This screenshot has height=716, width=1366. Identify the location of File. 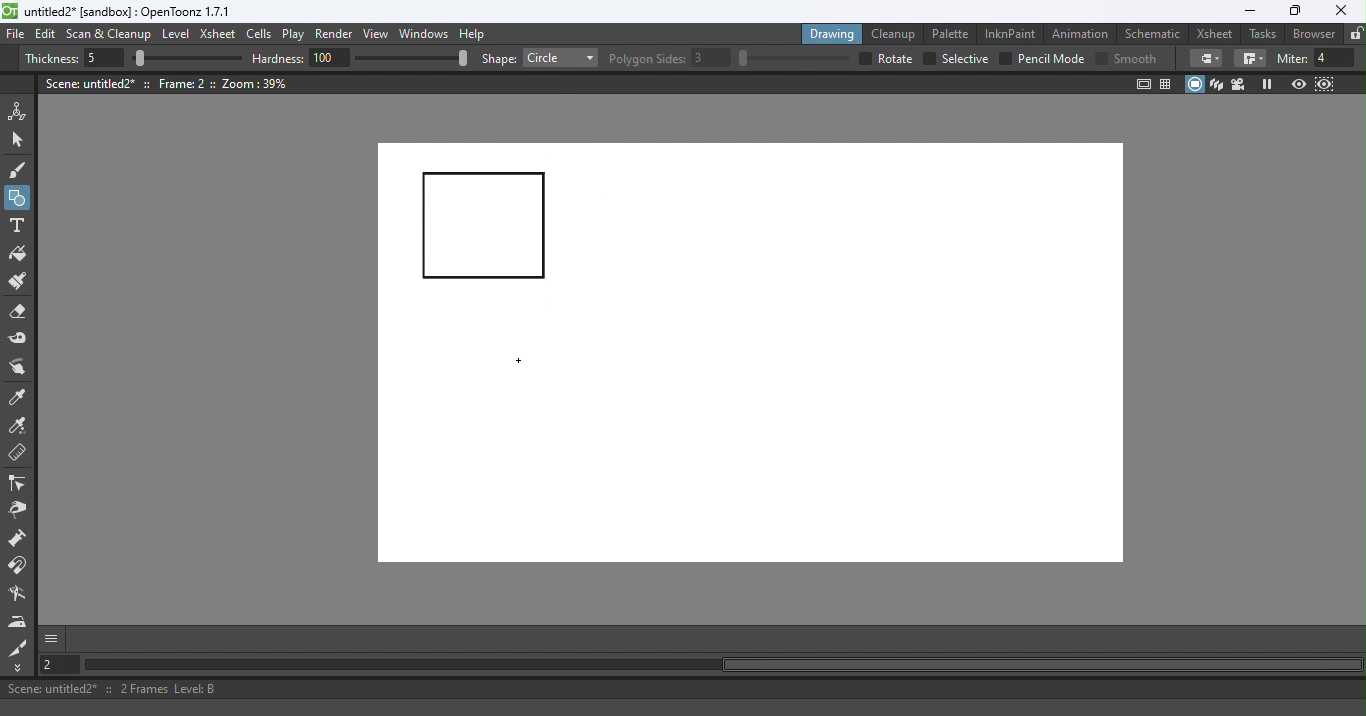
(16, 35).